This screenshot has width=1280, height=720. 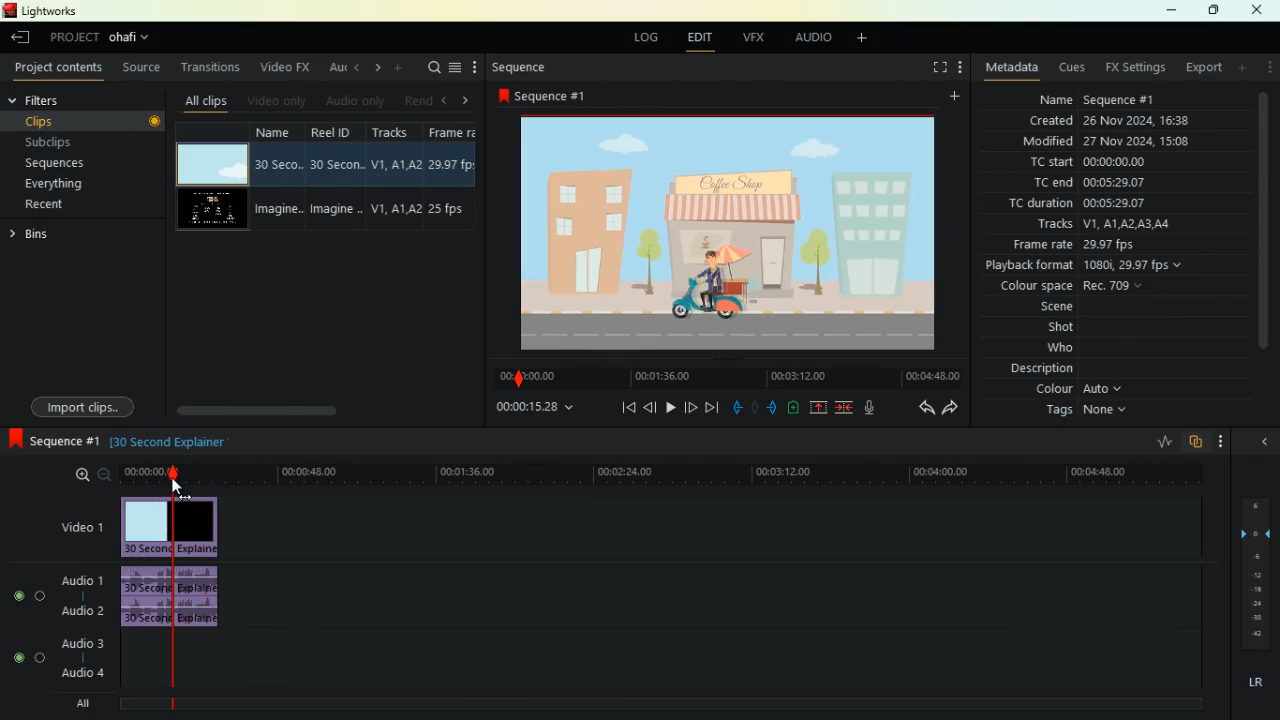 What do you see at coordinates (81, 525) in the screenshot?
I see `video 1` at bounding box center [81, 525].